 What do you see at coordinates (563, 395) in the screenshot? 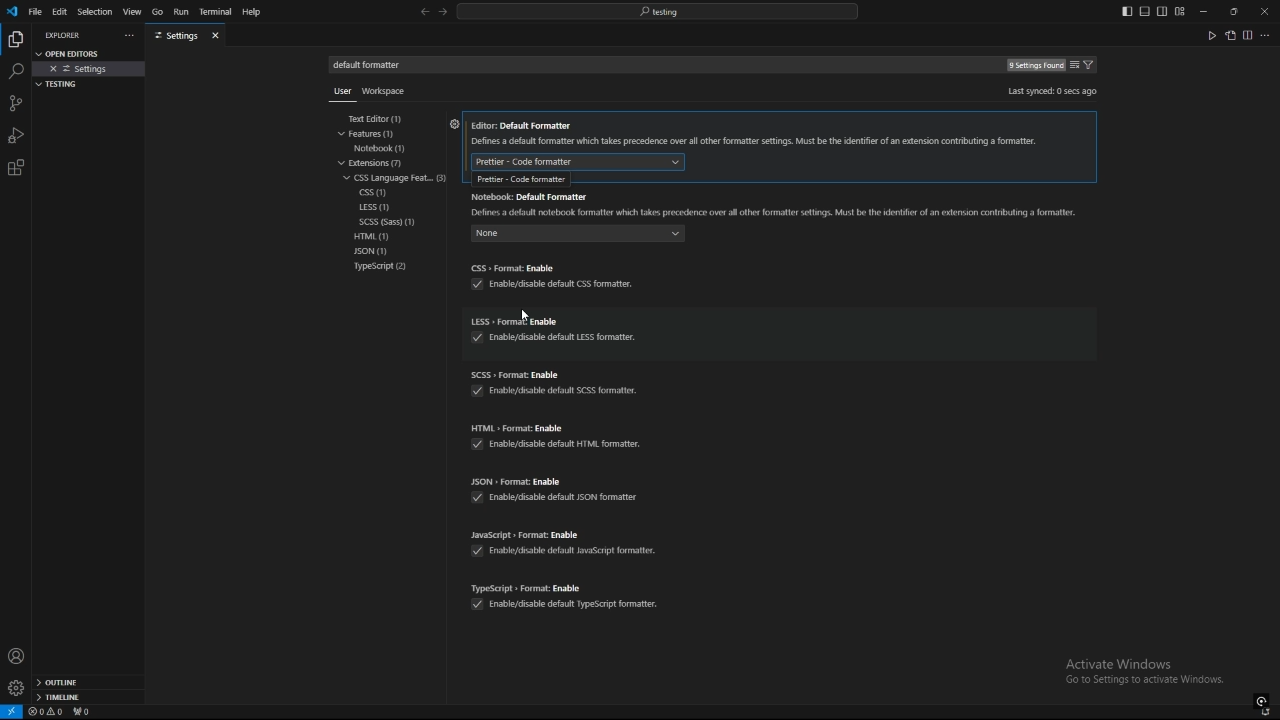
I see `enable /disable default scss formatter` at bounding box center [563, 395].